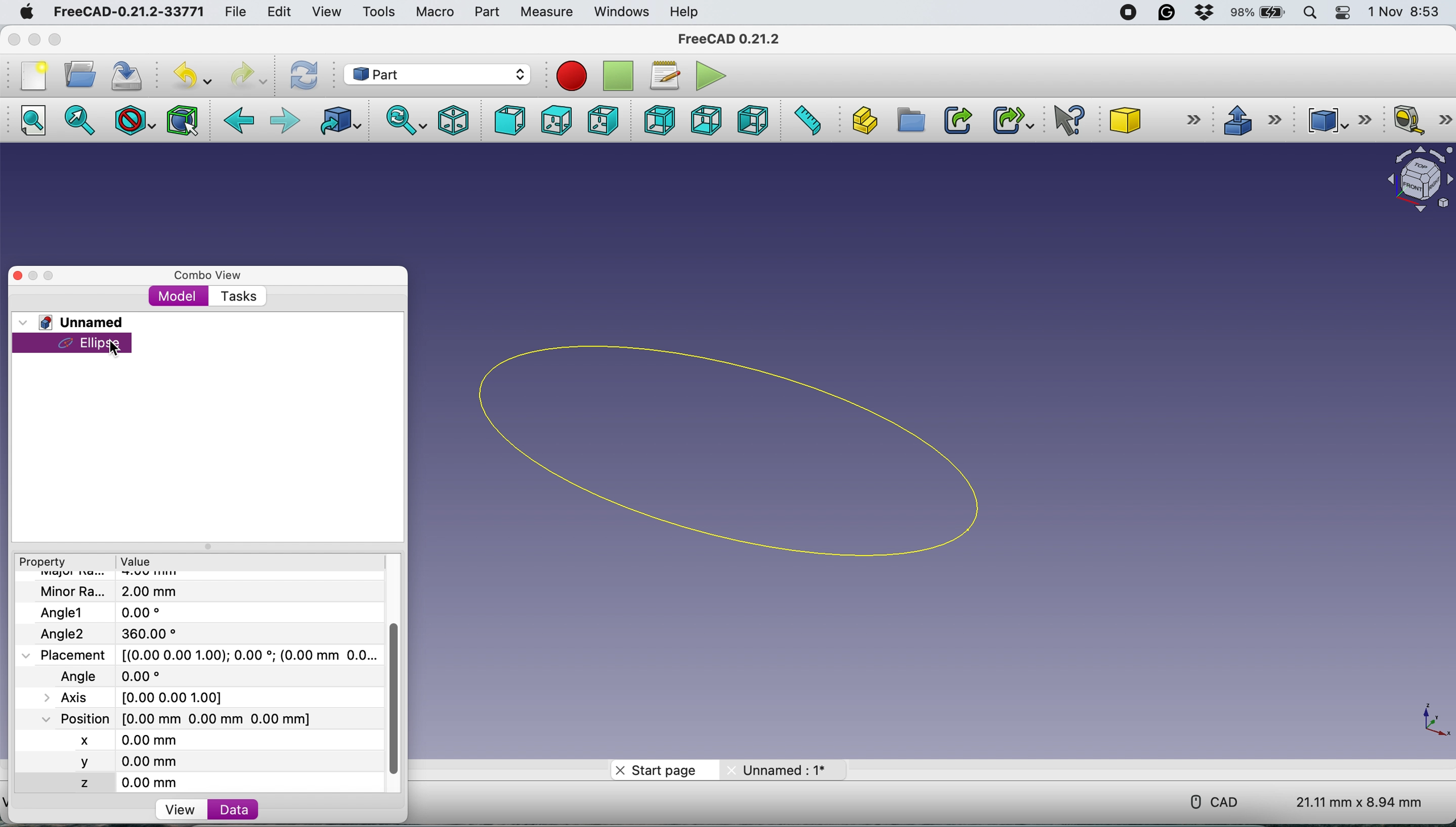 The width and height of the screenshot is (1456, 827). What do you see at coordinates (110, 762) in the screenshot?
I see `y` at bounding box center [110, 762].